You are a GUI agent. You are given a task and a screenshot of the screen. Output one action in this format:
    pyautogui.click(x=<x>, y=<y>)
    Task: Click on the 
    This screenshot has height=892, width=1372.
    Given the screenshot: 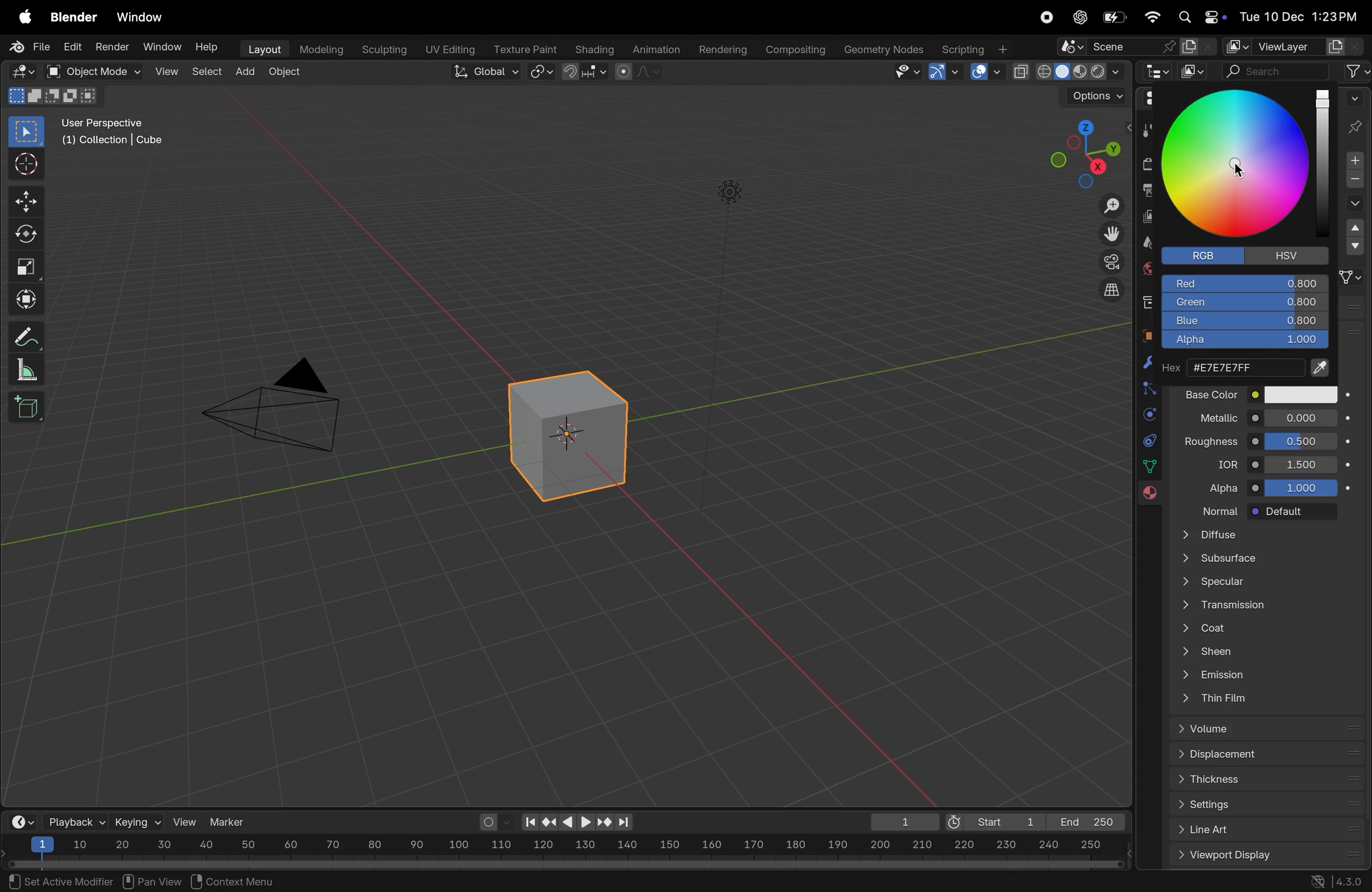 What is the action you would take?
    pyautogui.click(x=1151, y=467)
    